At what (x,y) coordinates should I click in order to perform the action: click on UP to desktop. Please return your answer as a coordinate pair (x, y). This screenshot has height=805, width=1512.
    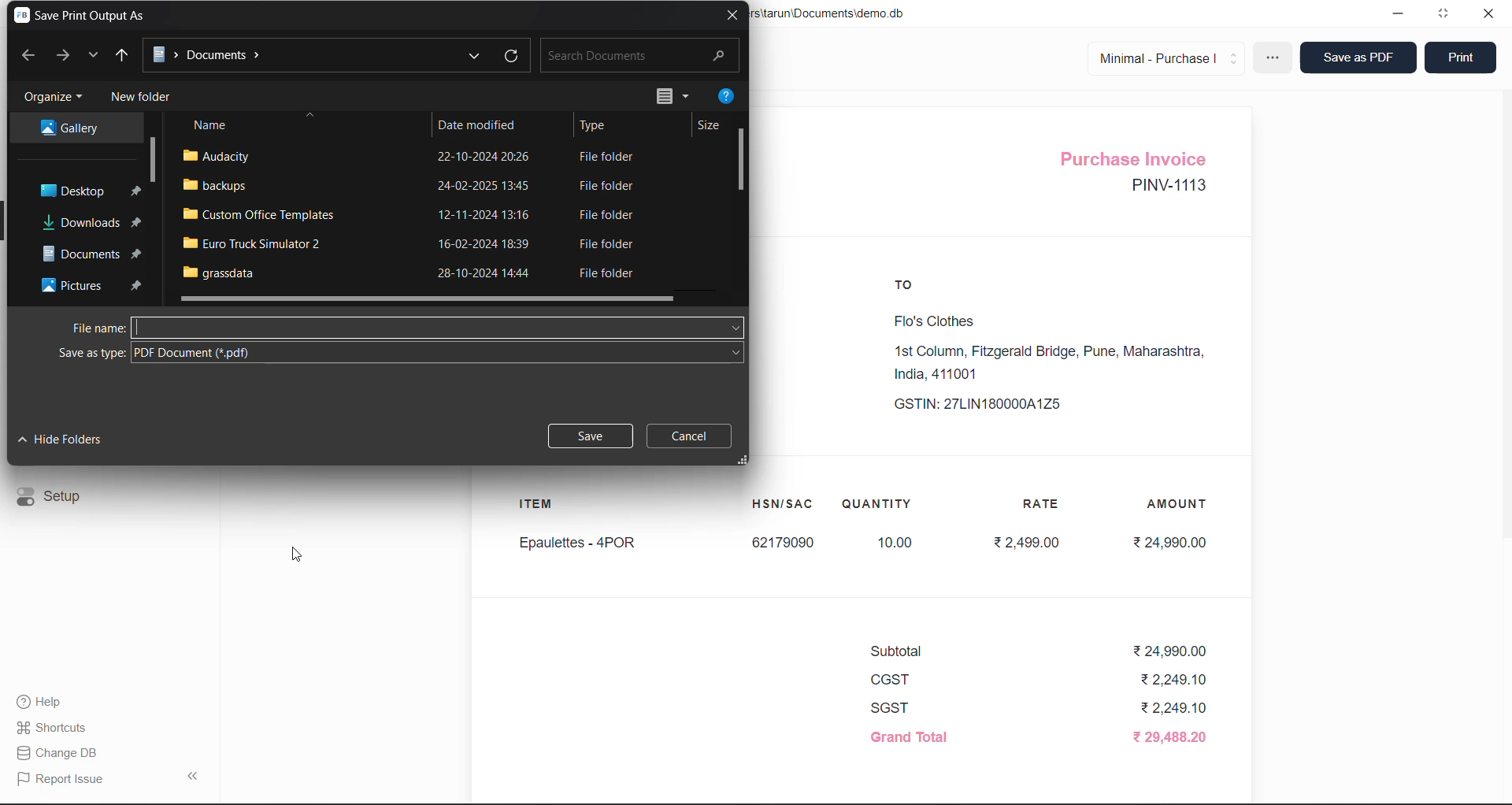
    Looking at the image, I should click on (126, 54).